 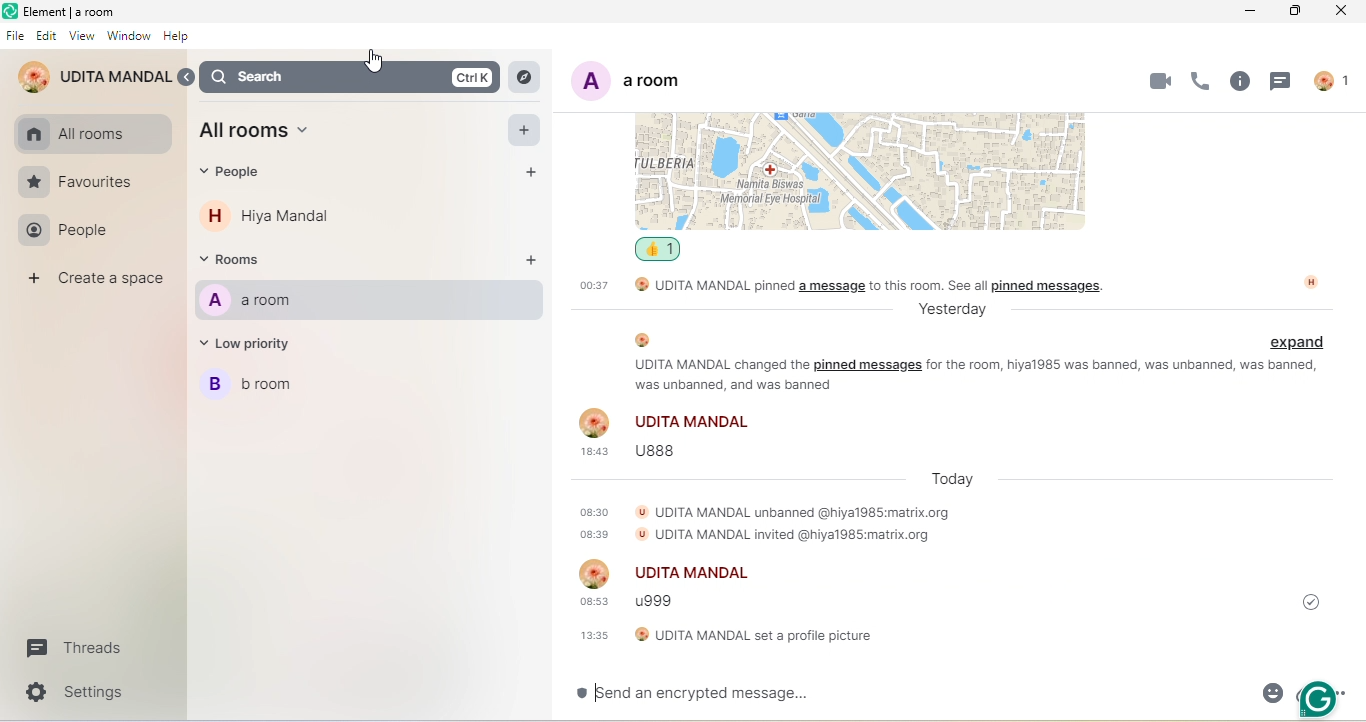 What do you see at coordinates (83, 37) in the screenshot?
I see `View` at bounding box center [83, 37].